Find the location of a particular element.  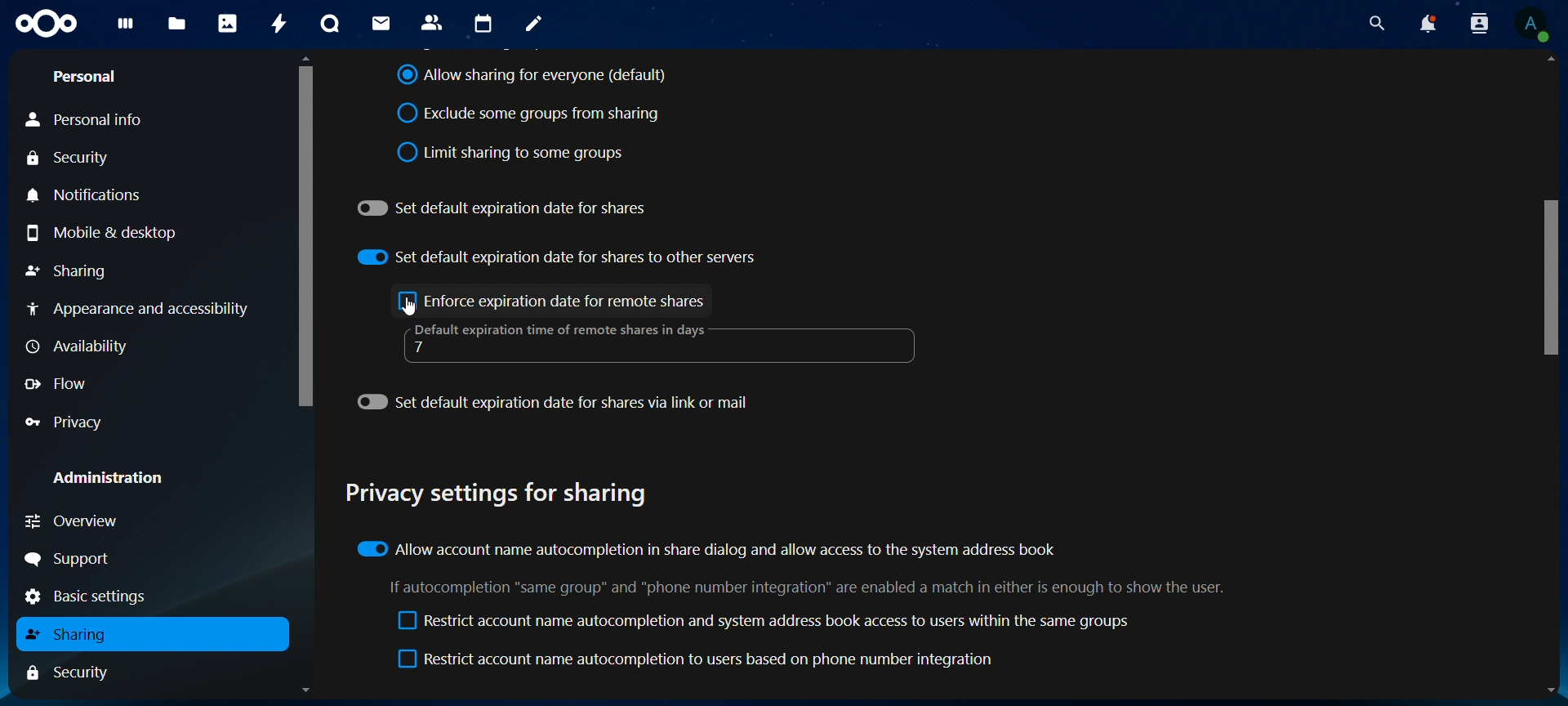

exclude some groups from sharing is located at coordinates (535, 113).